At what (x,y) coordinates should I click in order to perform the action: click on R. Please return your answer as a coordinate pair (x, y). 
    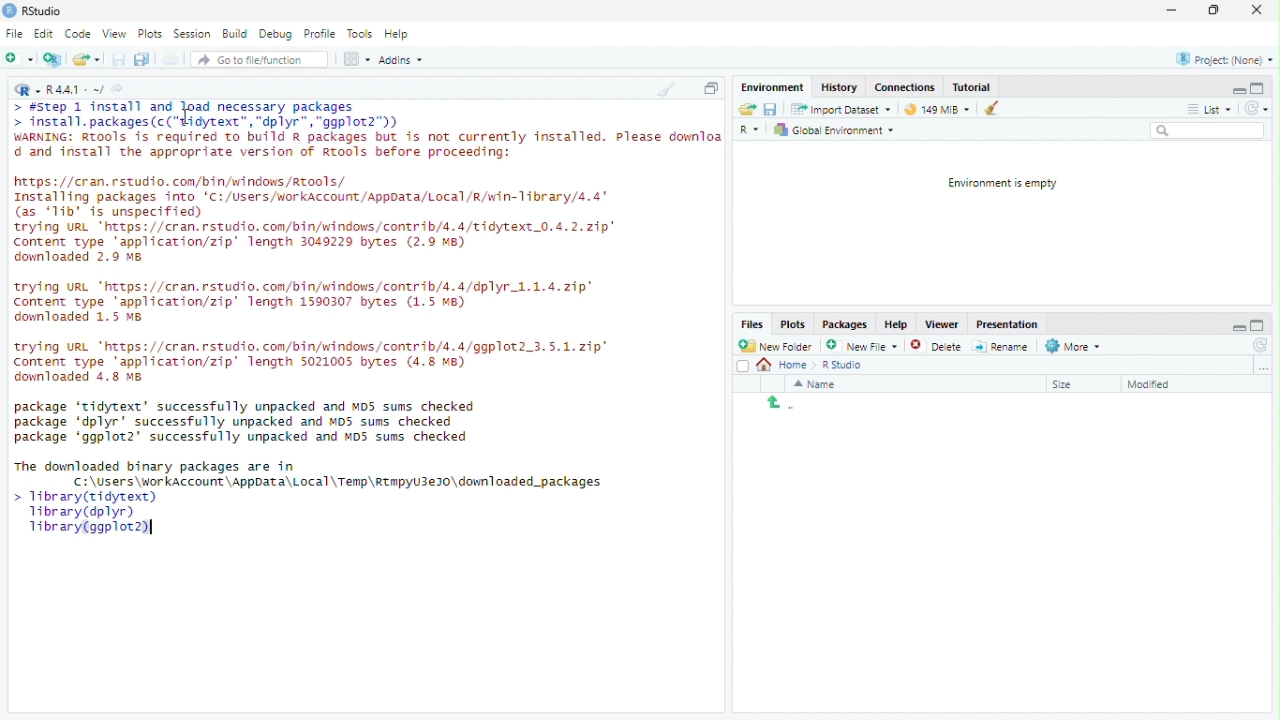
    Looking at the image, I should click on (27, 89).